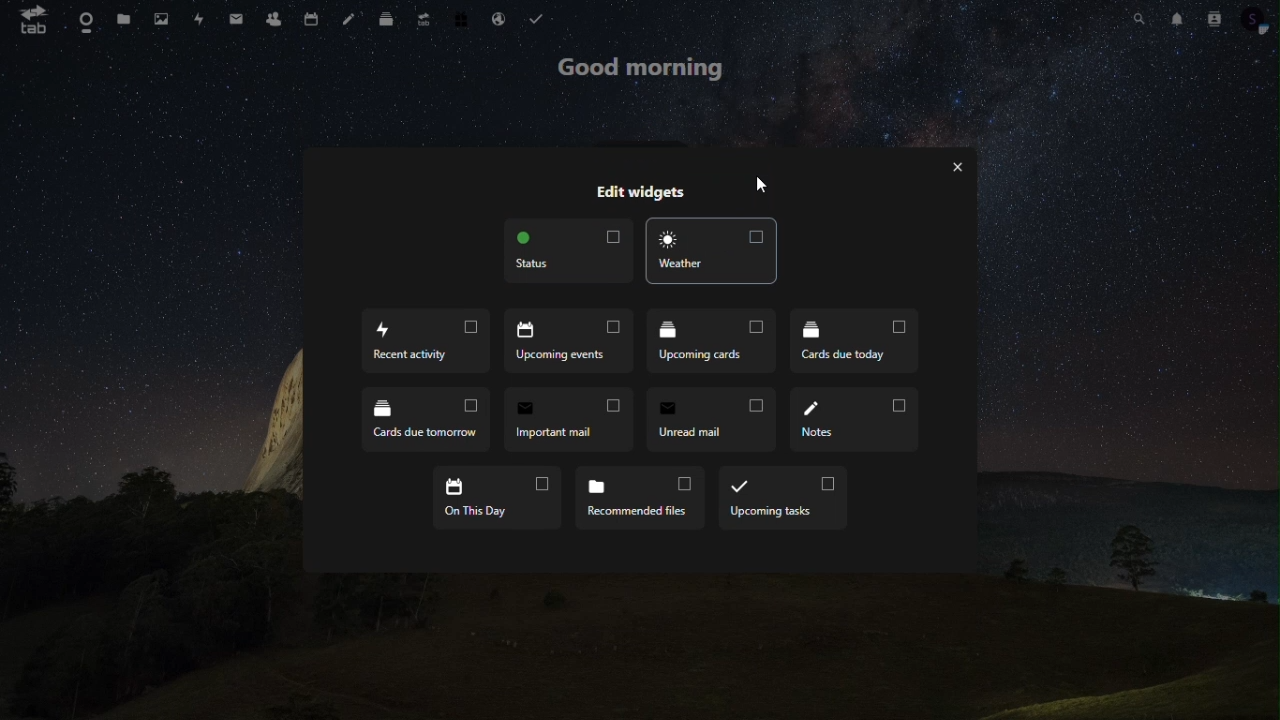 Image resolution: width=1280 pixels, height=720 pixels. What do you see at coordinates (1175, 16) in the screenshot?
I see `notification` at bounding box center [1175, 16].